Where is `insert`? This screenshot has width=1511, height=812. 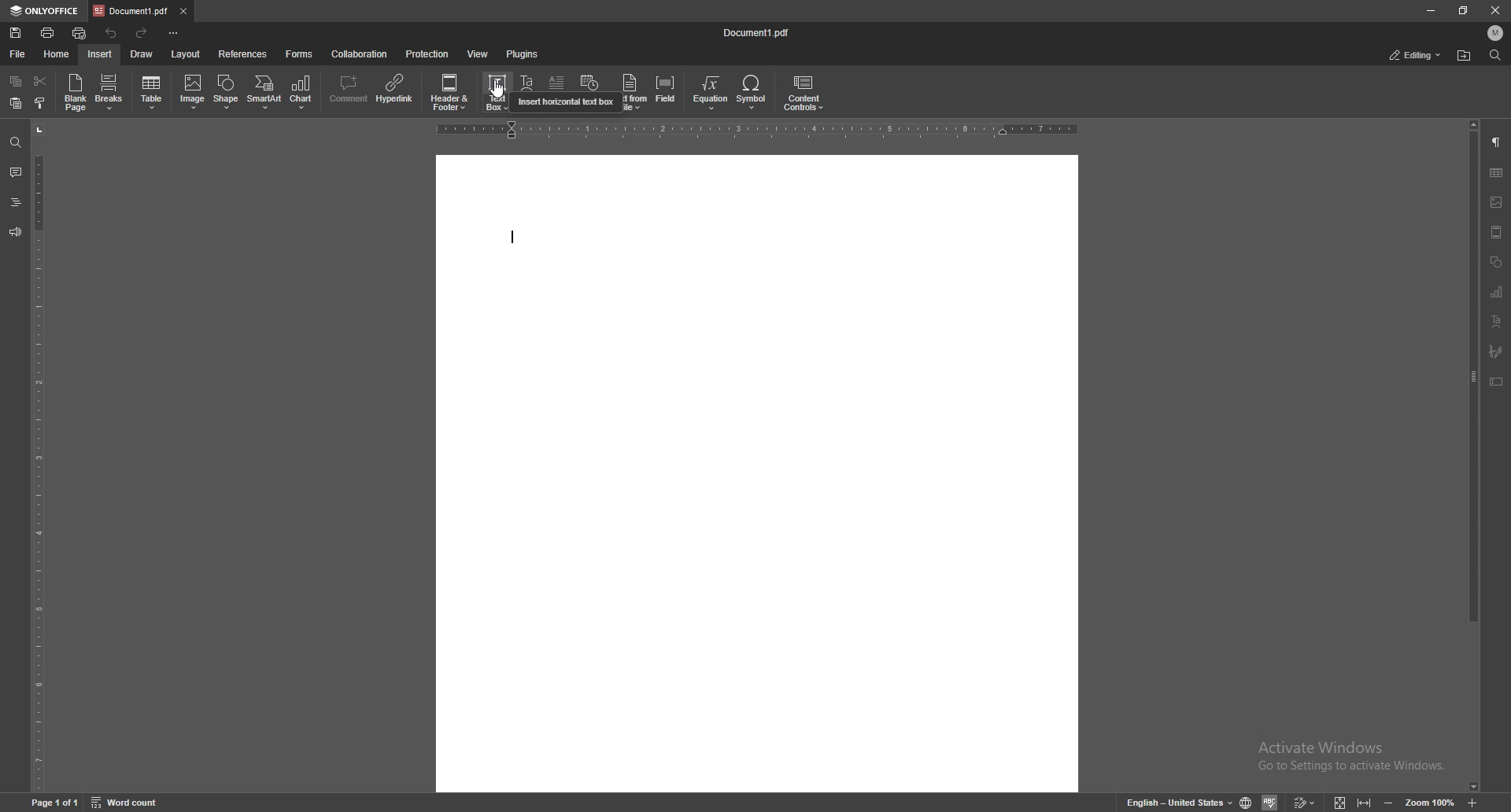 insert is located at coordinates (100, 54).